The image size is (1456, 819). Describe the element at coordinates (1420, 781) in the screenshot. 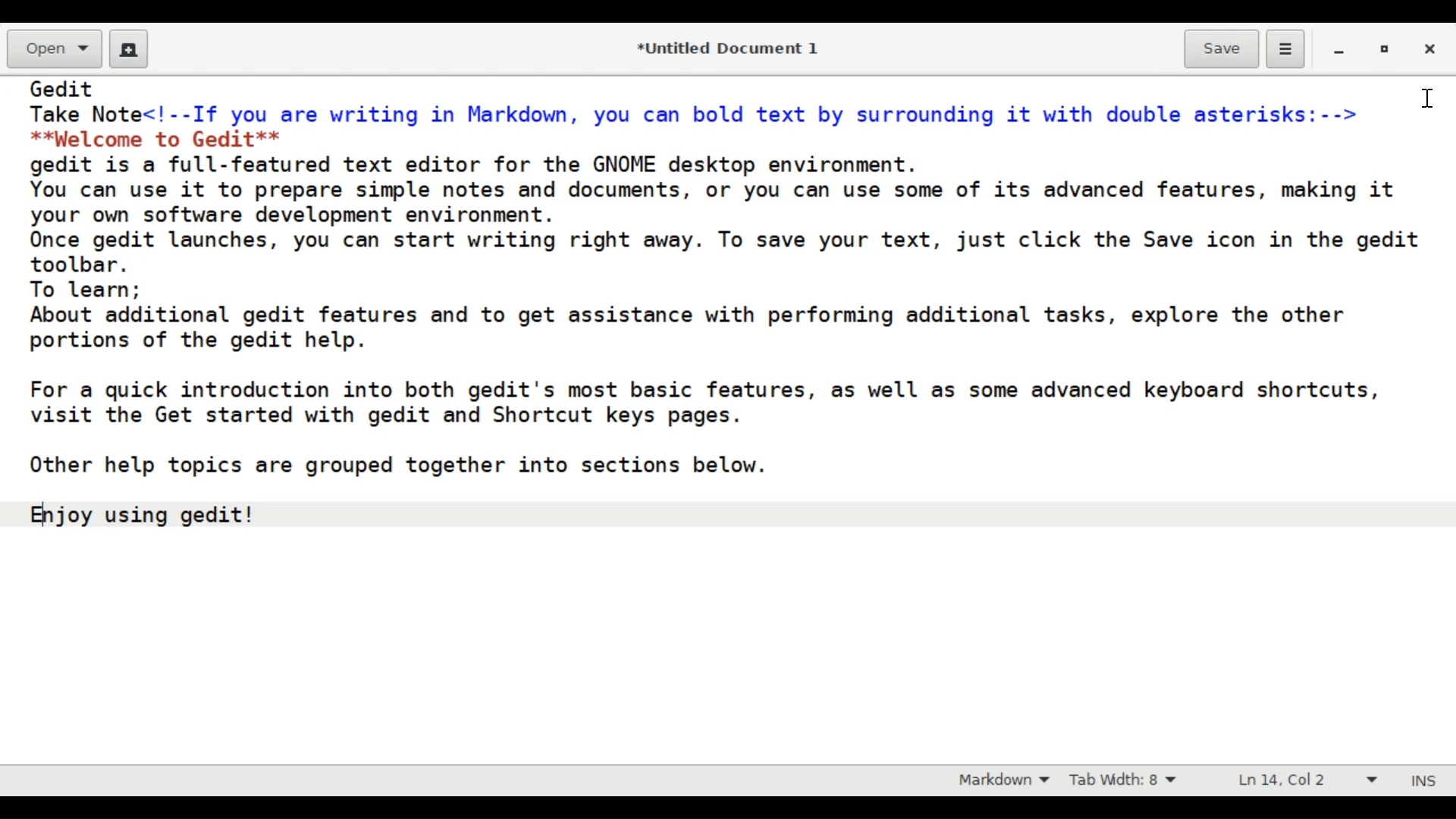

I see `Insert` at that location.